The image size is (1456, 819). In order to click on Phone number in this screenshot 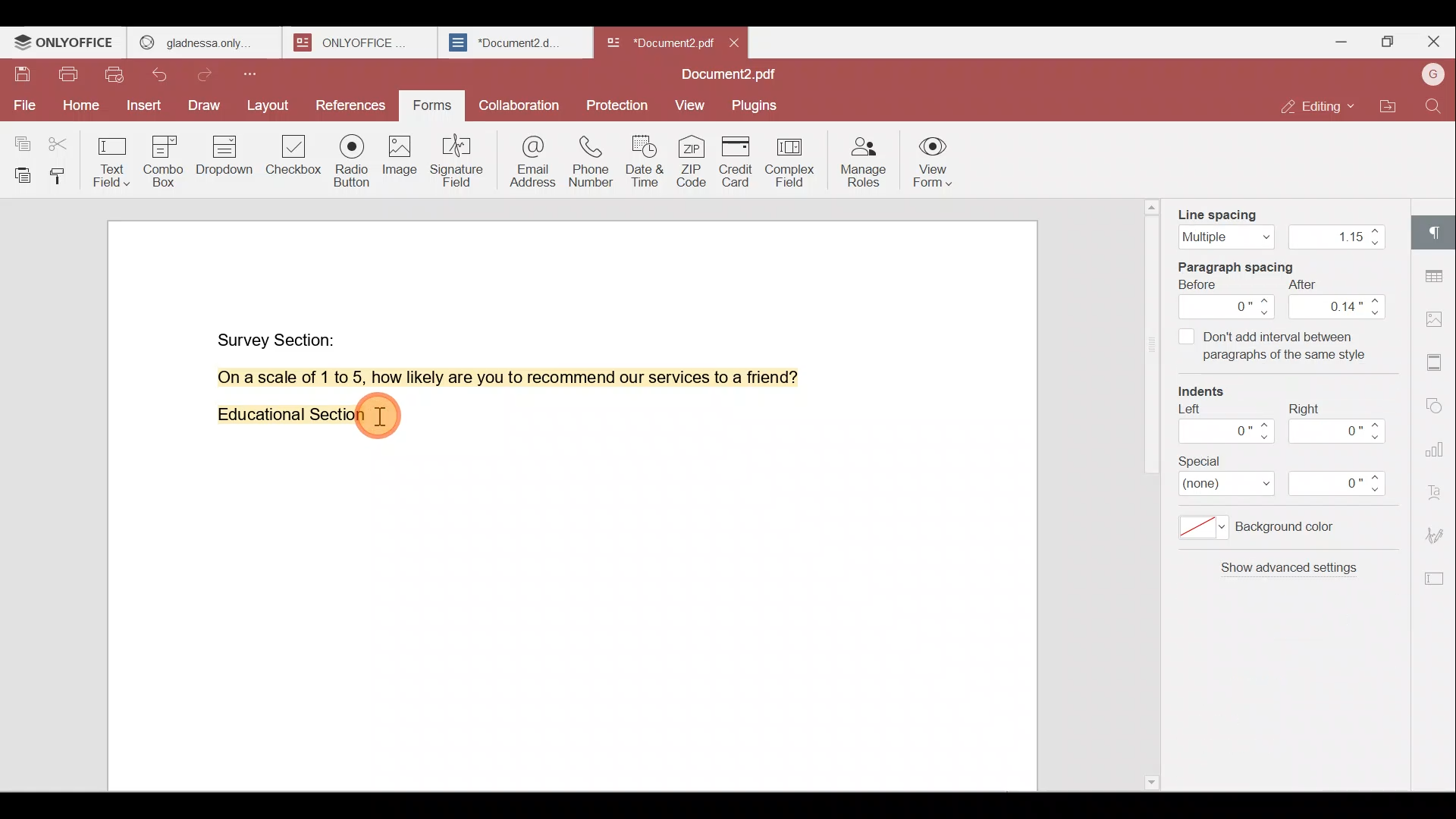, I will do `click(588, 156)`.